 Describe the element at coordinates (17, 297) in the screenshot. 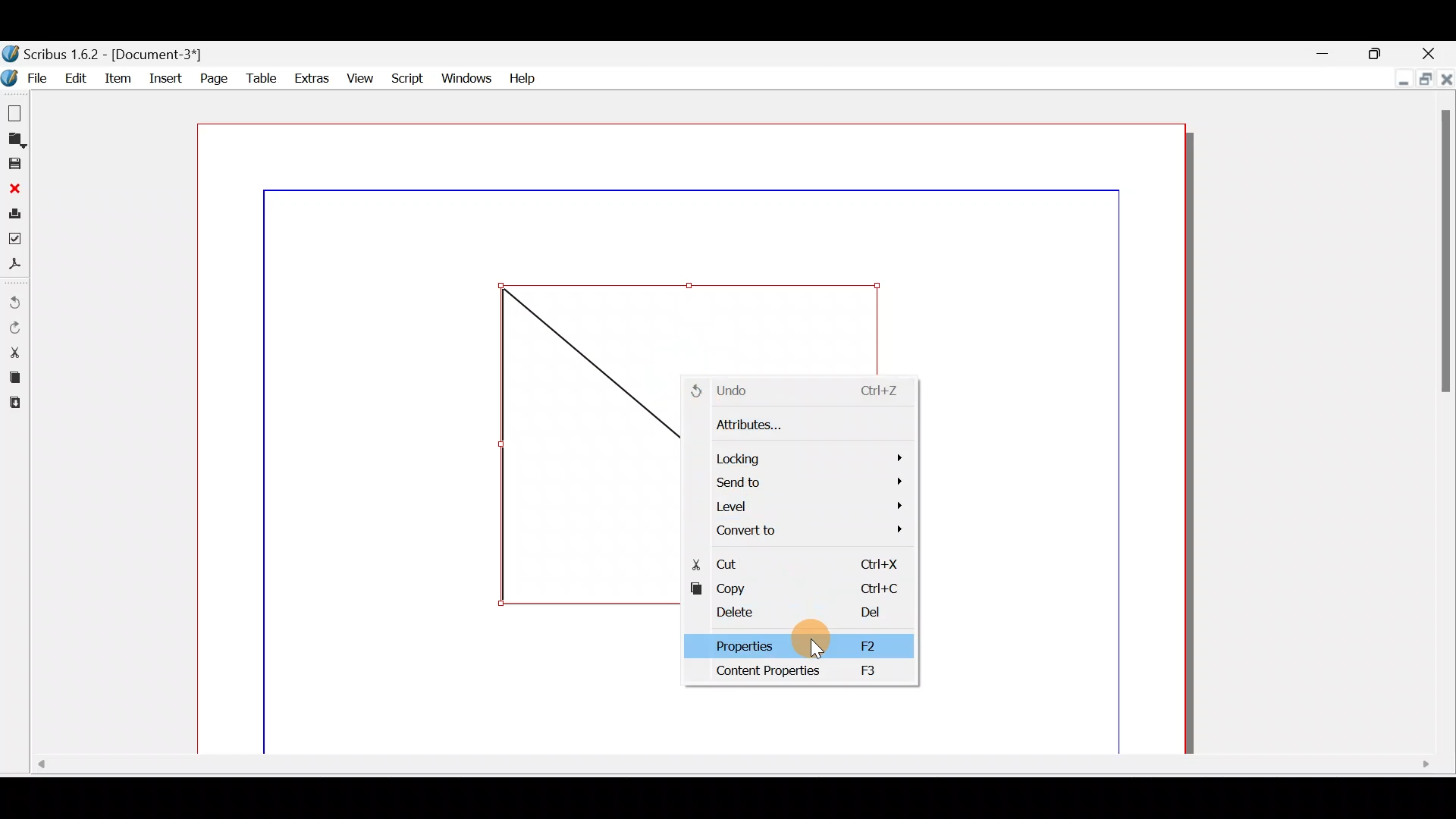

I see `Undo` at that location.